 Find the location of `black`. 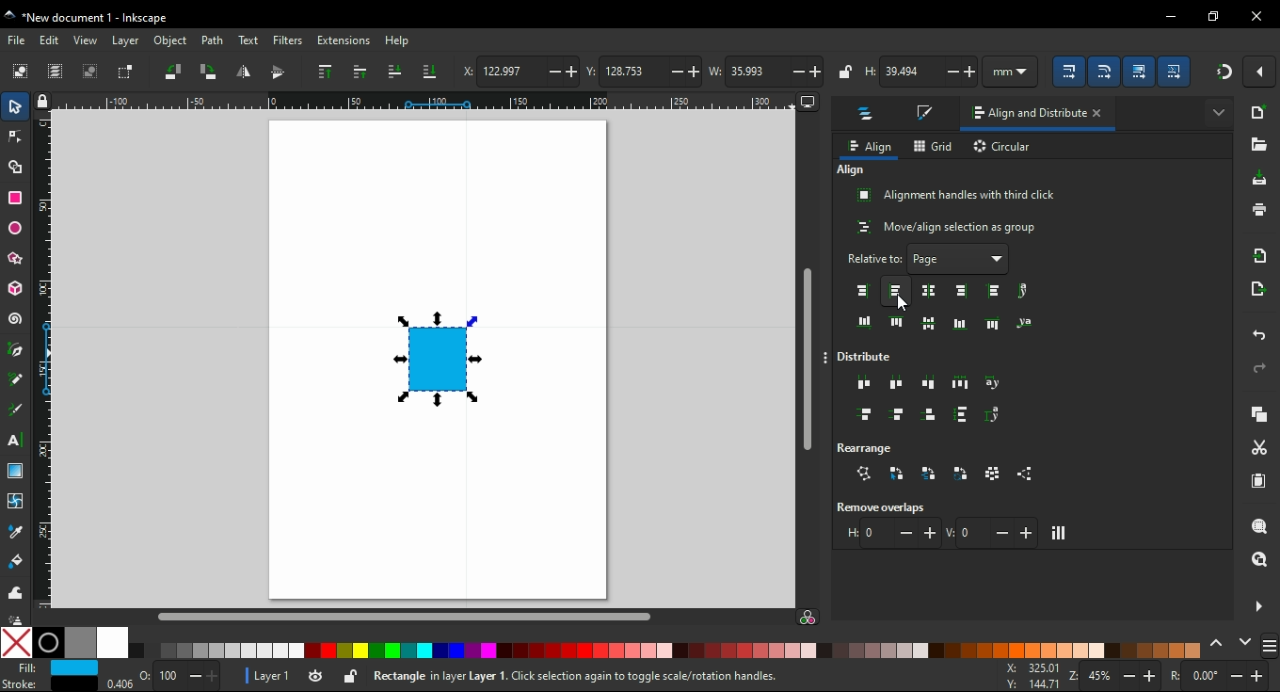

black is located at coordinates (48, 643).